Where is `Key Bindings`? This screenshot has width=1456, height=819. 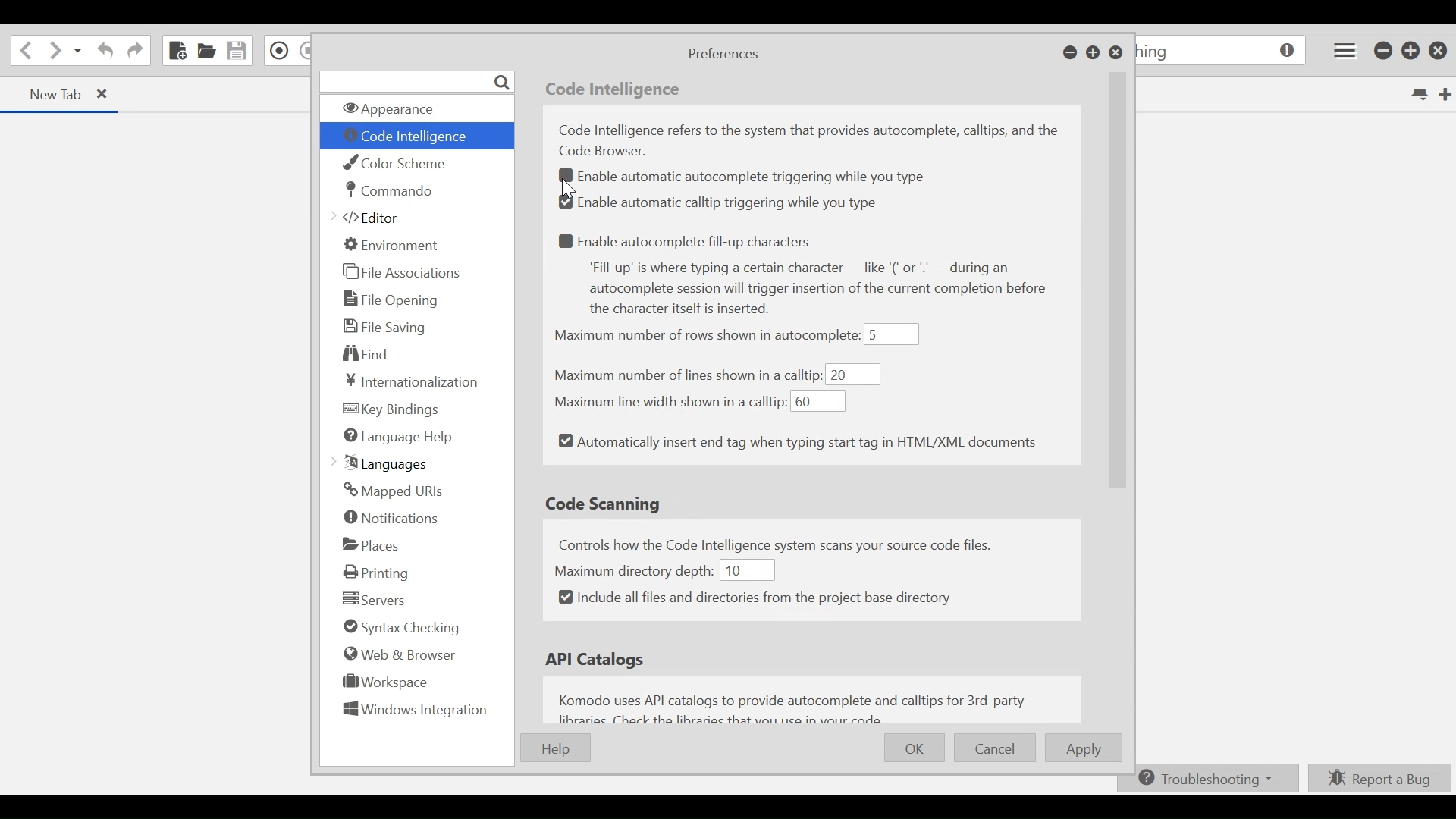 Key Bindings is located at coordinates (392, 409).